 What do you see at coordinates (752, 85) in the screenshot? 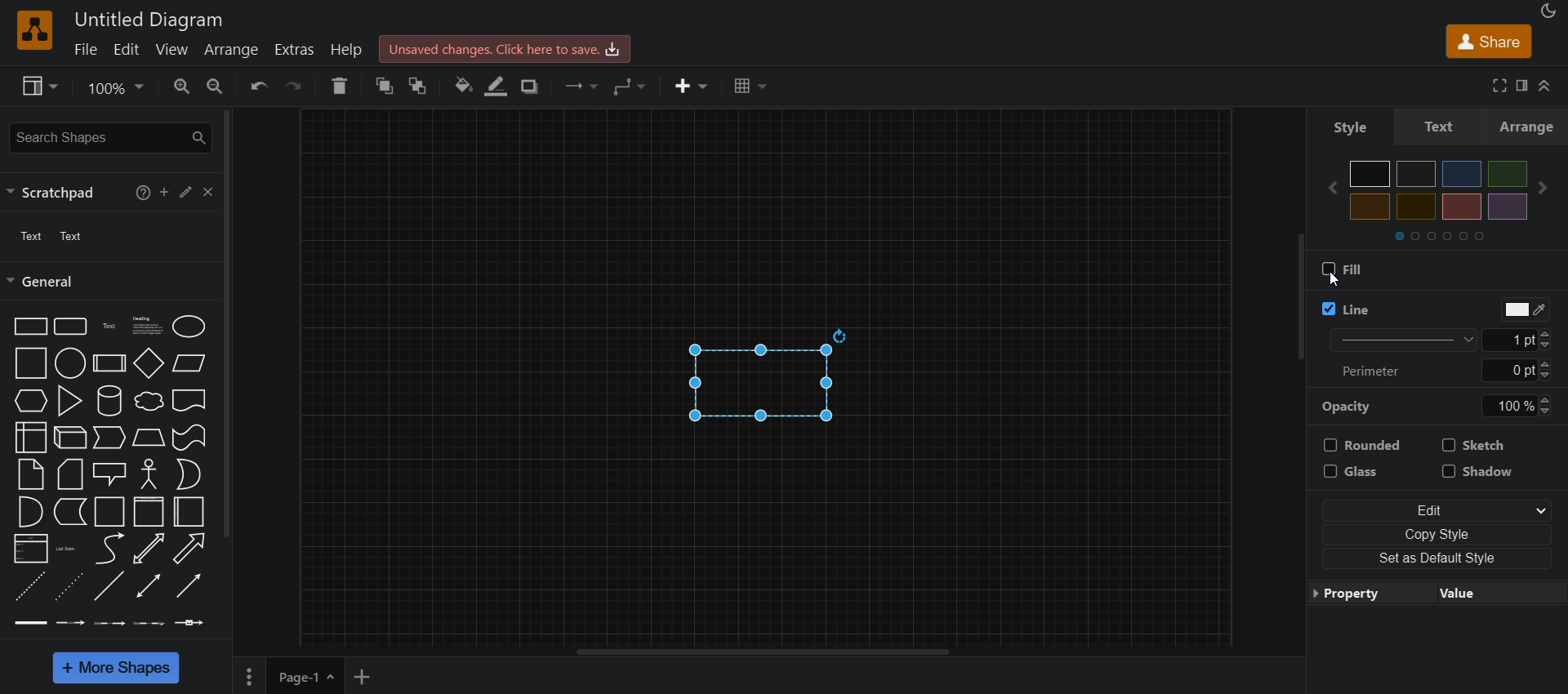
I see `table` at bounding box center [752, 85].